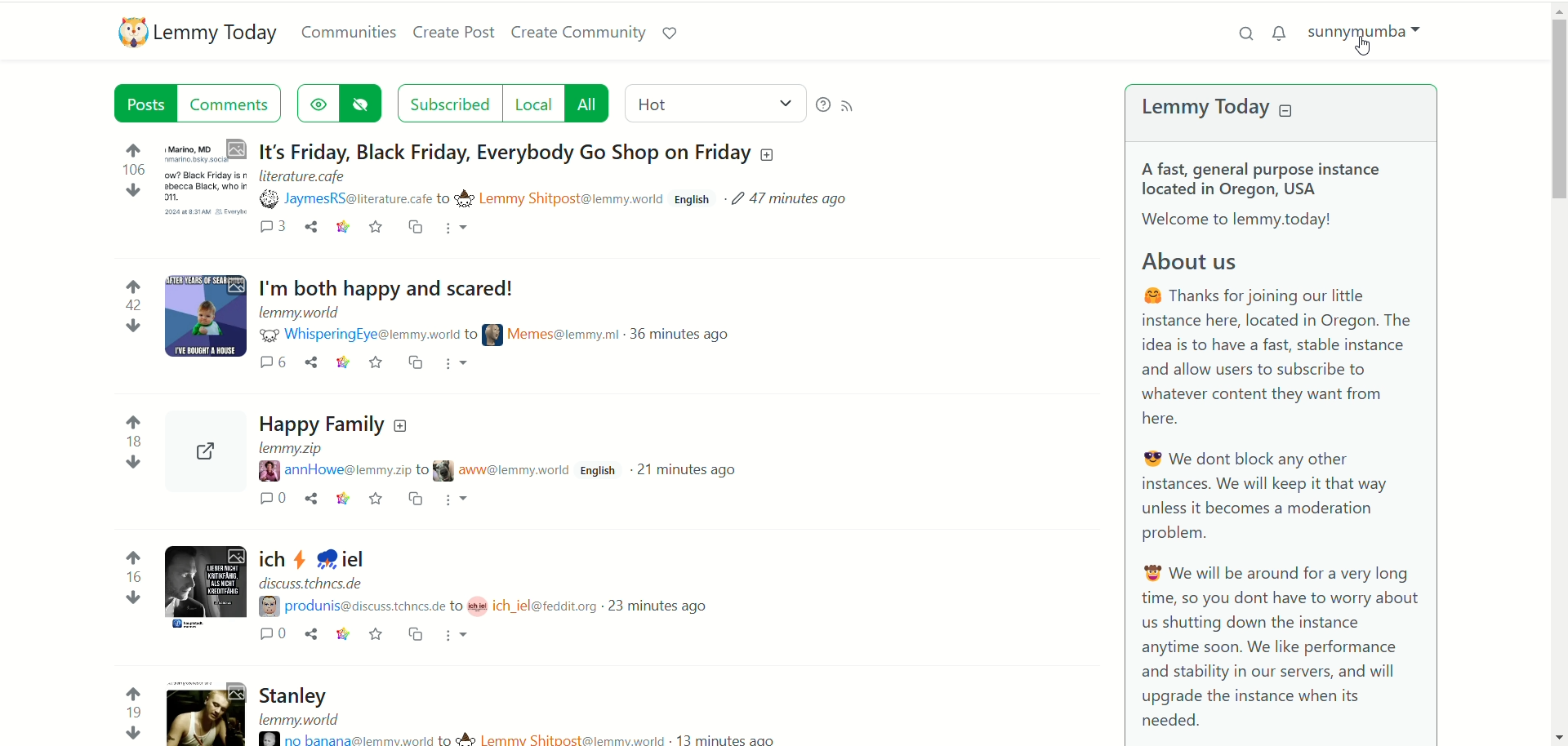 The height and width of the screenshot is (746, 1568). What do you see at coordinates (1373, 39) in the screenshot?
I see `account` at bounding box center [1373, 39].